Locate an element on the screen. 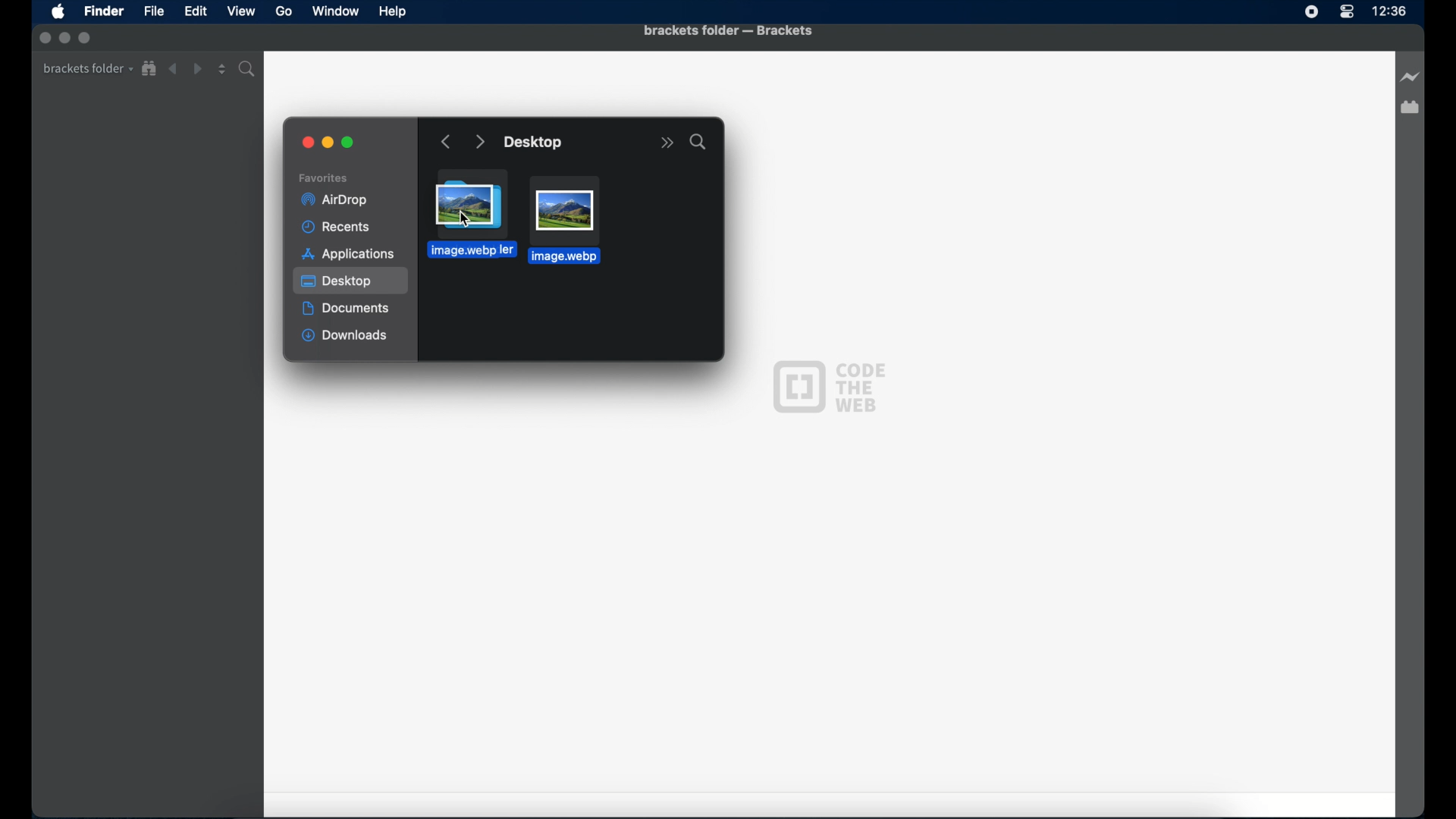 This screenshot has height=819, width=1456. find in folder is located at coordinates (249, 69).